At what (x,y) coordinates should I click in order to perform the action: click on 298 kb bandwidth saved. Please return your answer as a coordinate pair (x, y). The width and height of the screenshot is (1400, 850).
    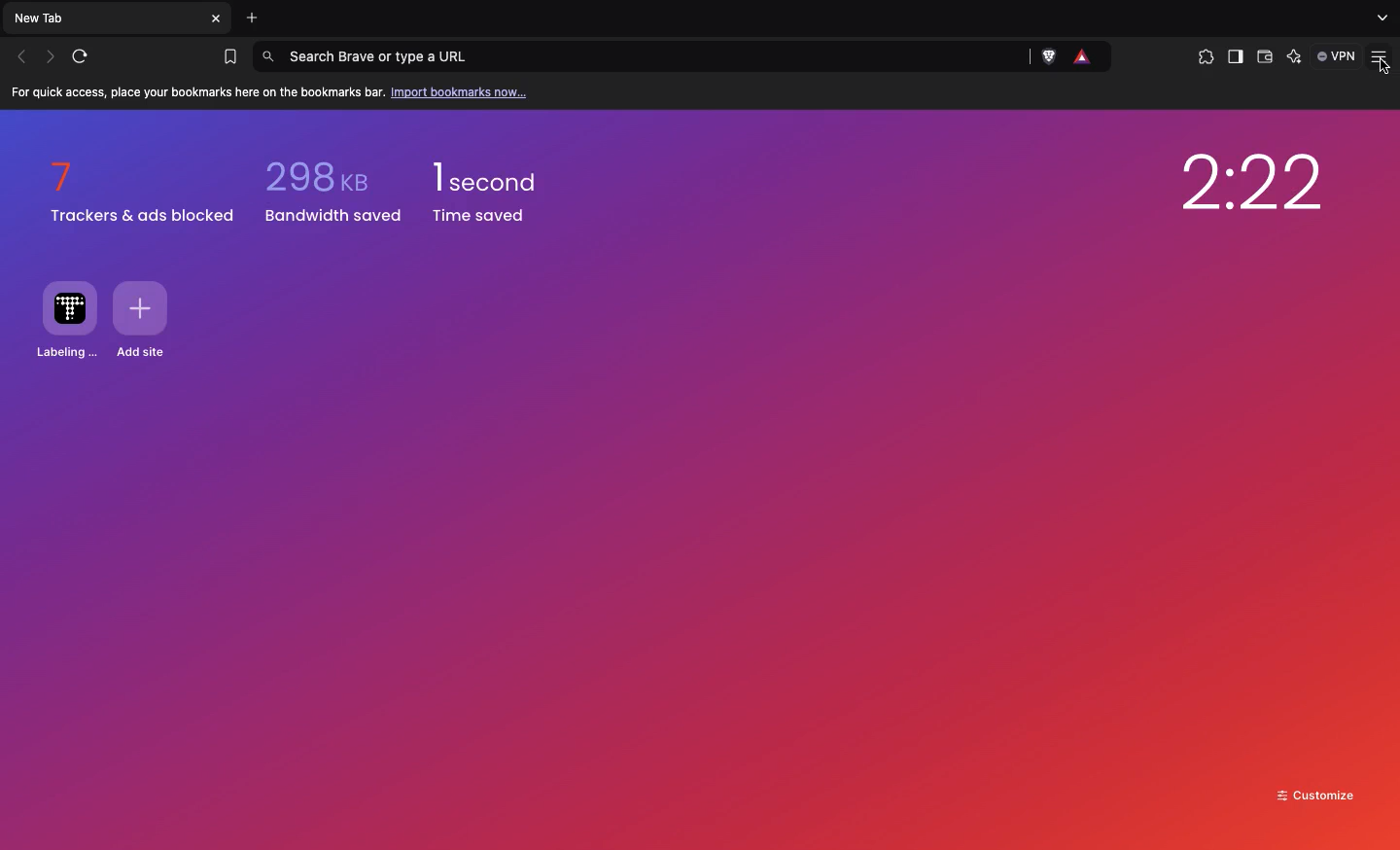
    Looking at the image, I should click on (332, 194).